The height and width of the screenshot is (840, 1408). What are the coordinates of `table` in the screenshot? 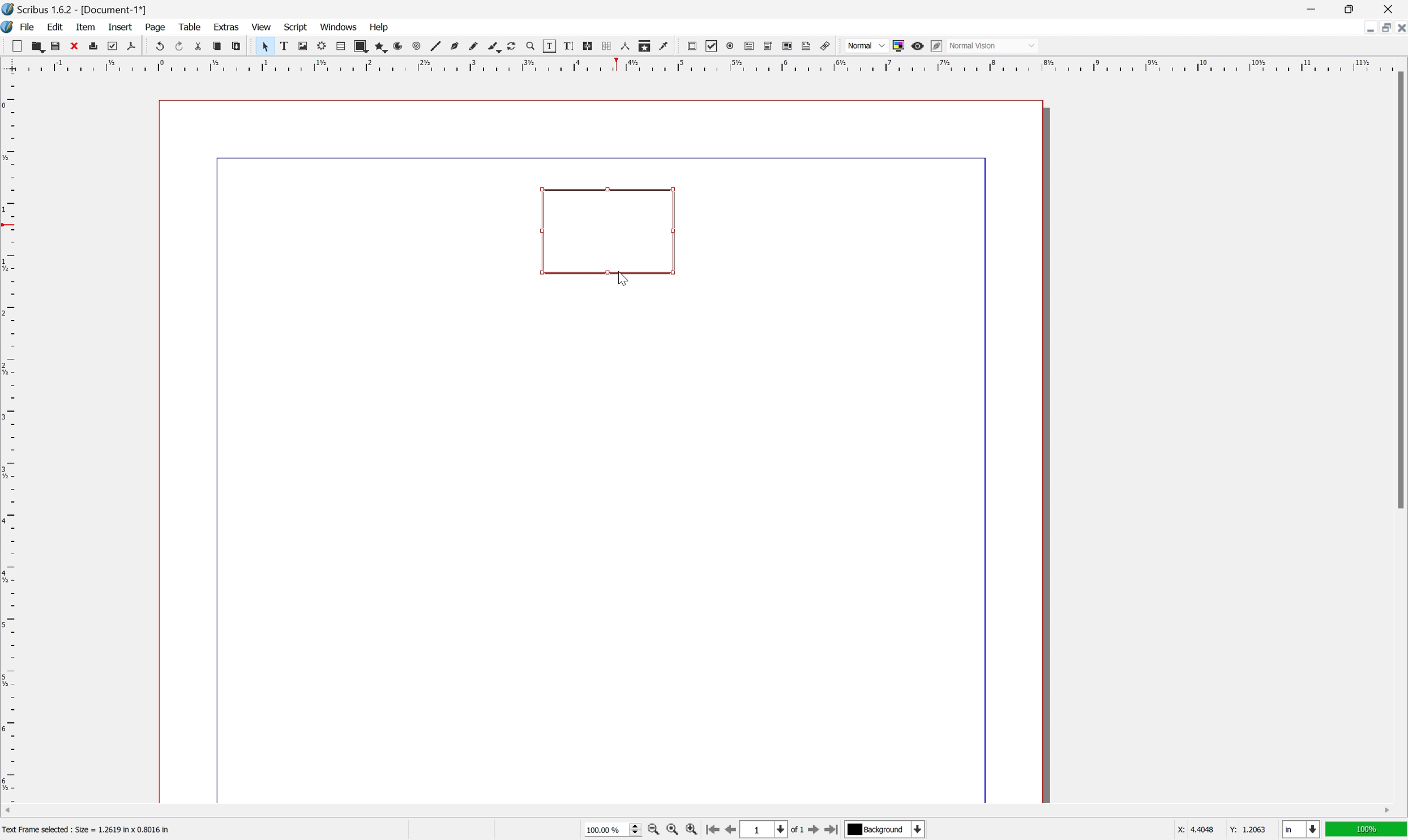 It's located at (340, 46).